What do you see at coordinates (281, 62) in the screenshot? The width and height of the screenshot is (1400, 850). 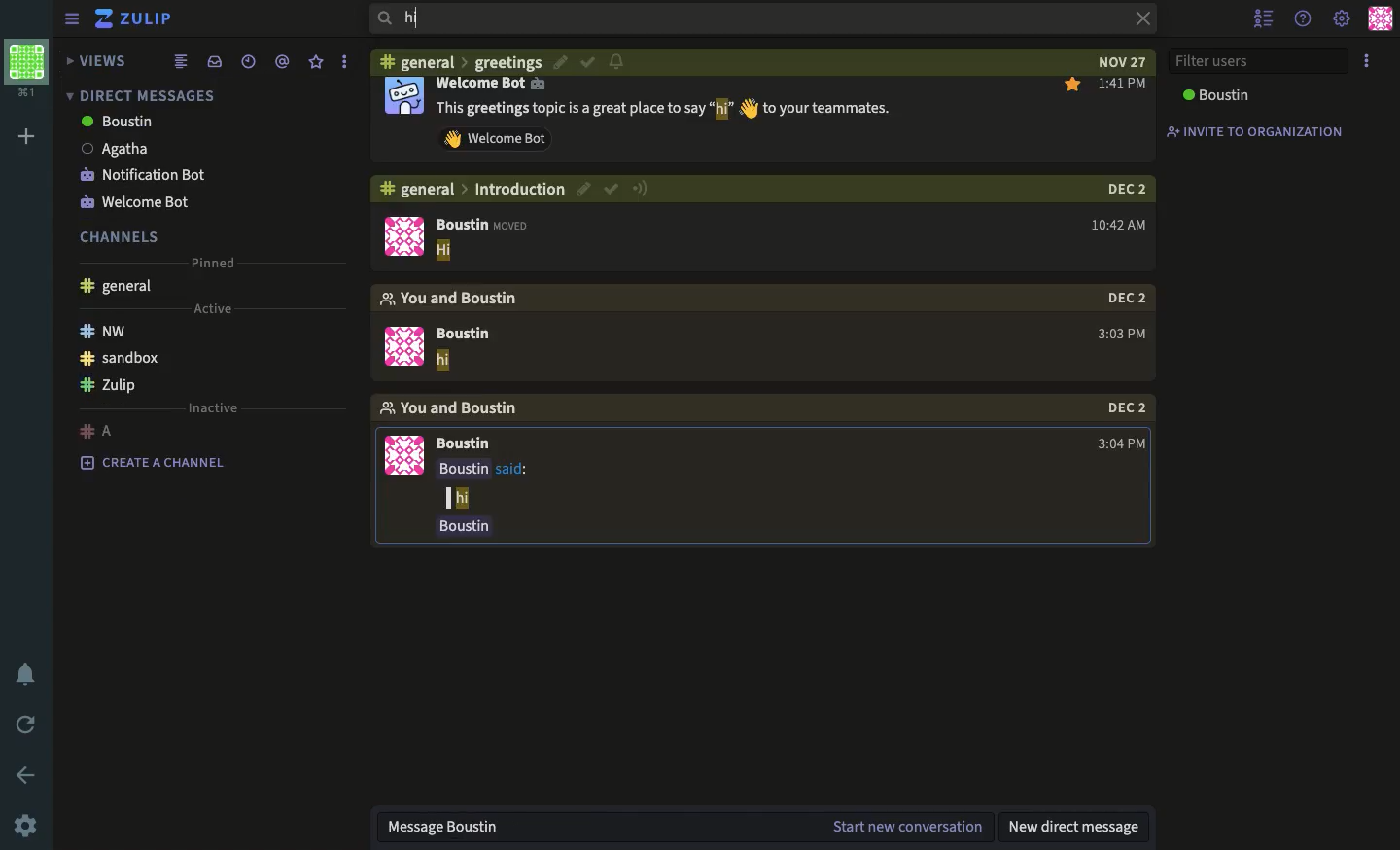 I see `mention` at bounding box center [281, 62].